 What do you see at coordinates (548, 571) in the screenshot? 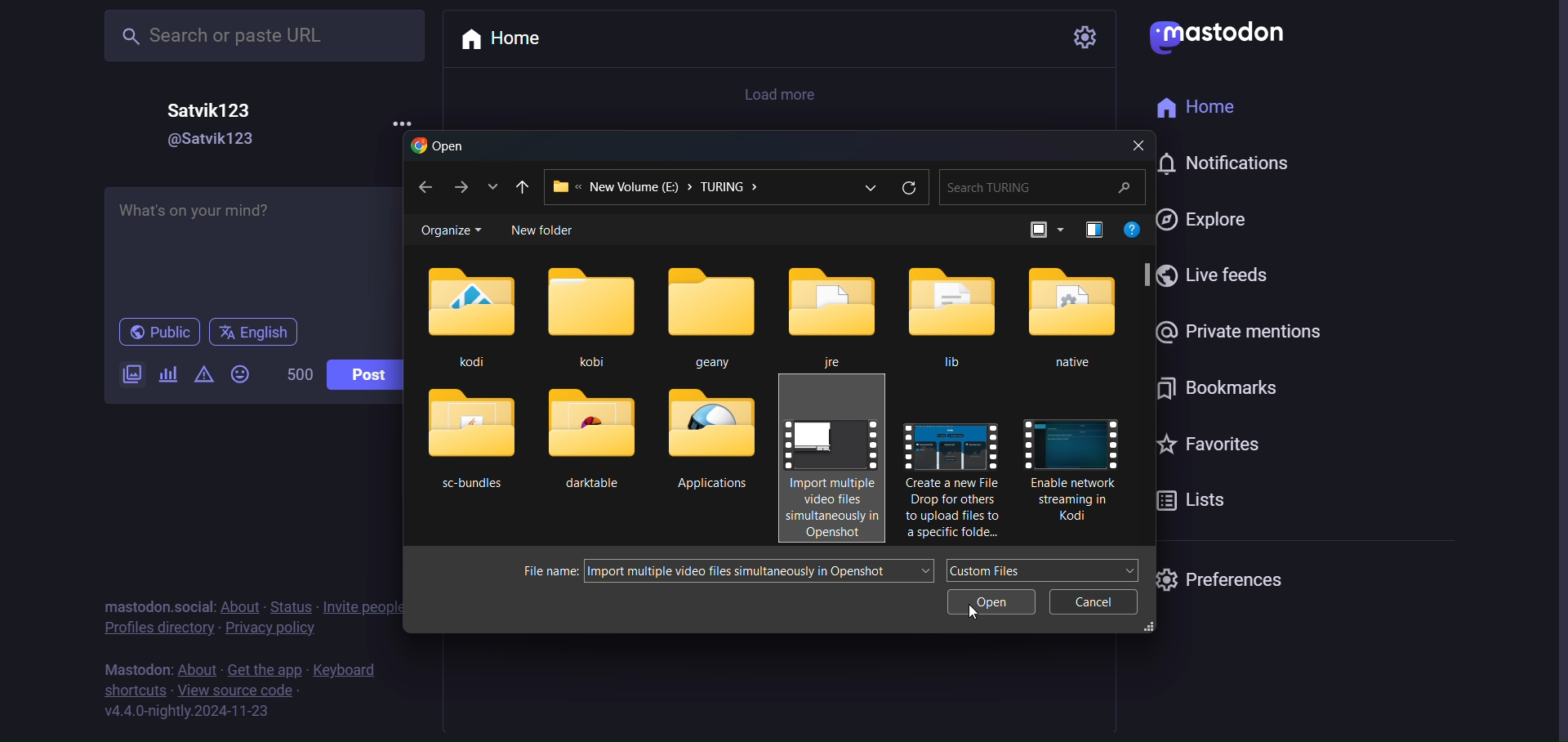
I see `file name` at bounding box center [548, 571].